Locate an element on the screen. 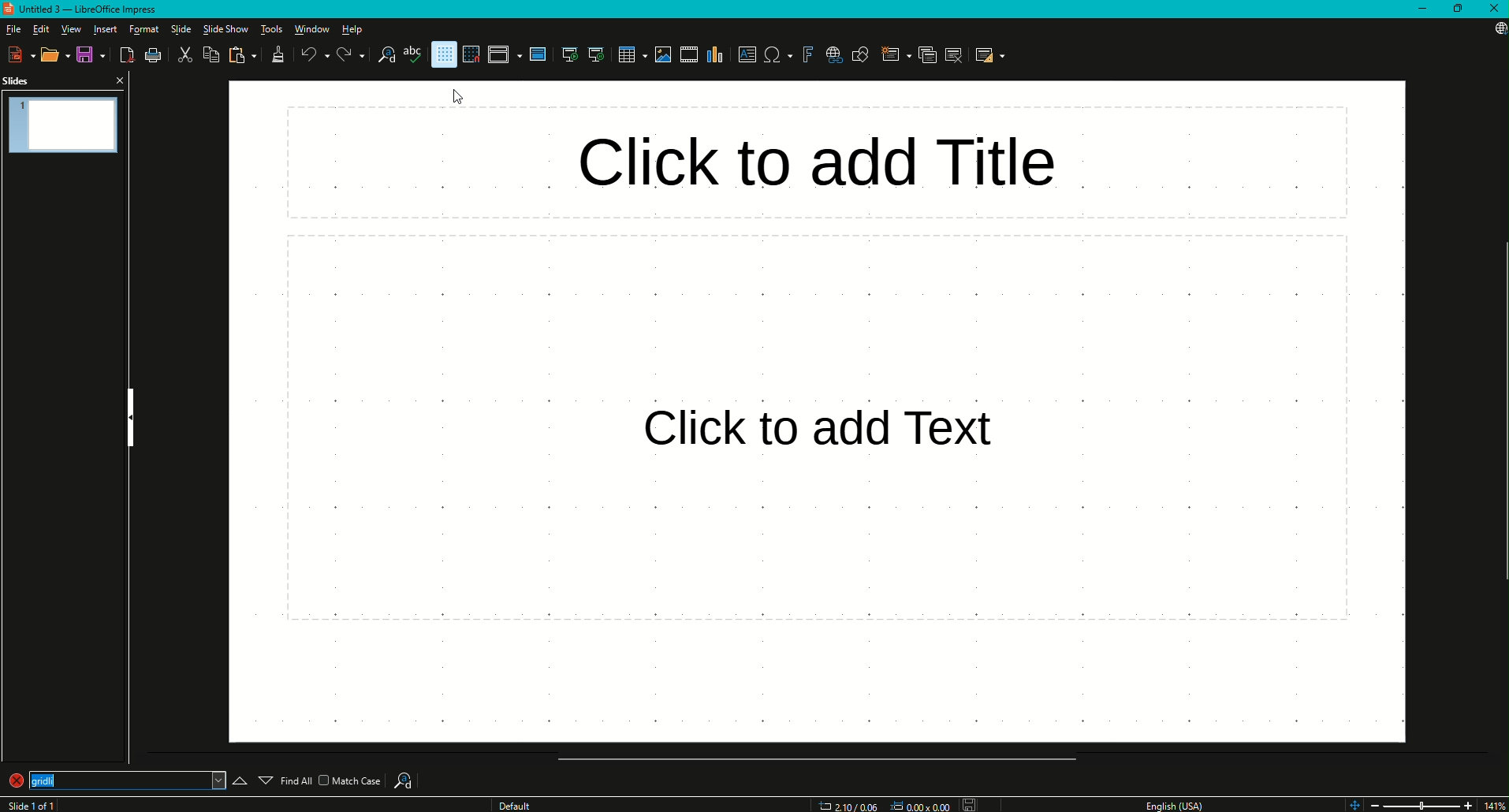  Click to add title is located at coordinates (819, 158).